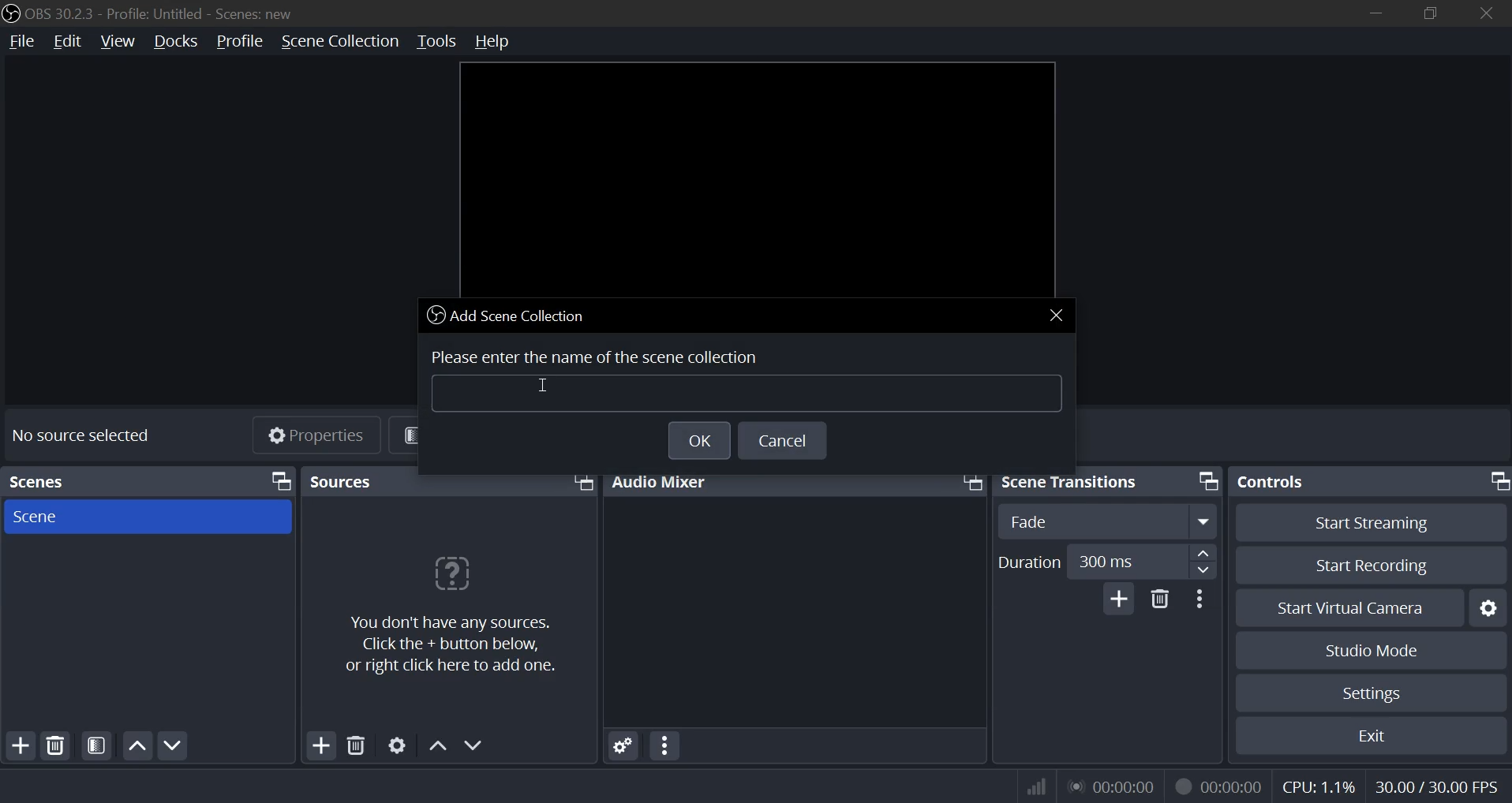  Describe the element at coordinates (549, 387) in the screenshot. I see `Cursor` at that location.